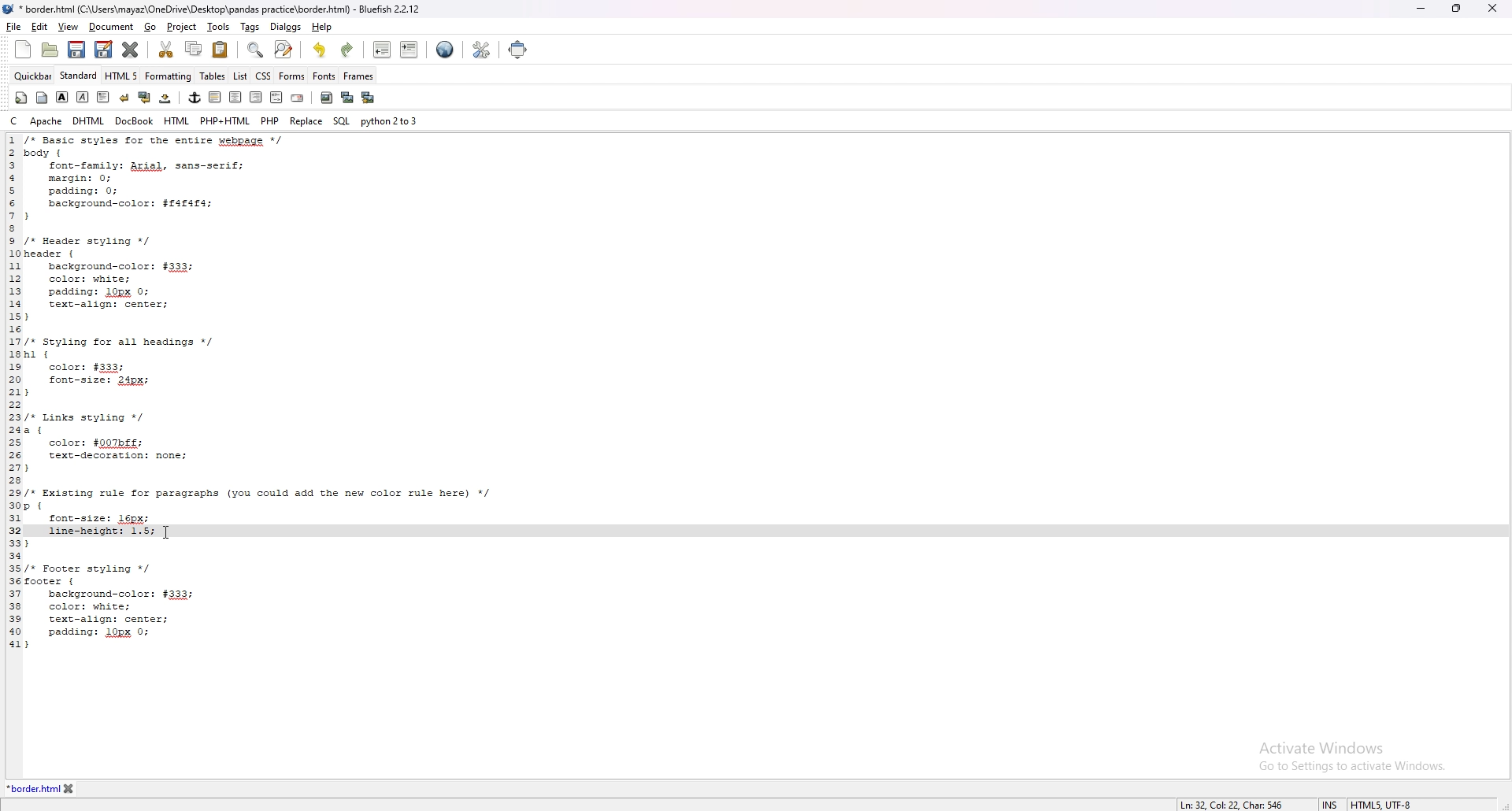 Image resolution: width=1512 pixels, height=811 pixels. I want to click on advanced find and replace, so click(283, 49).